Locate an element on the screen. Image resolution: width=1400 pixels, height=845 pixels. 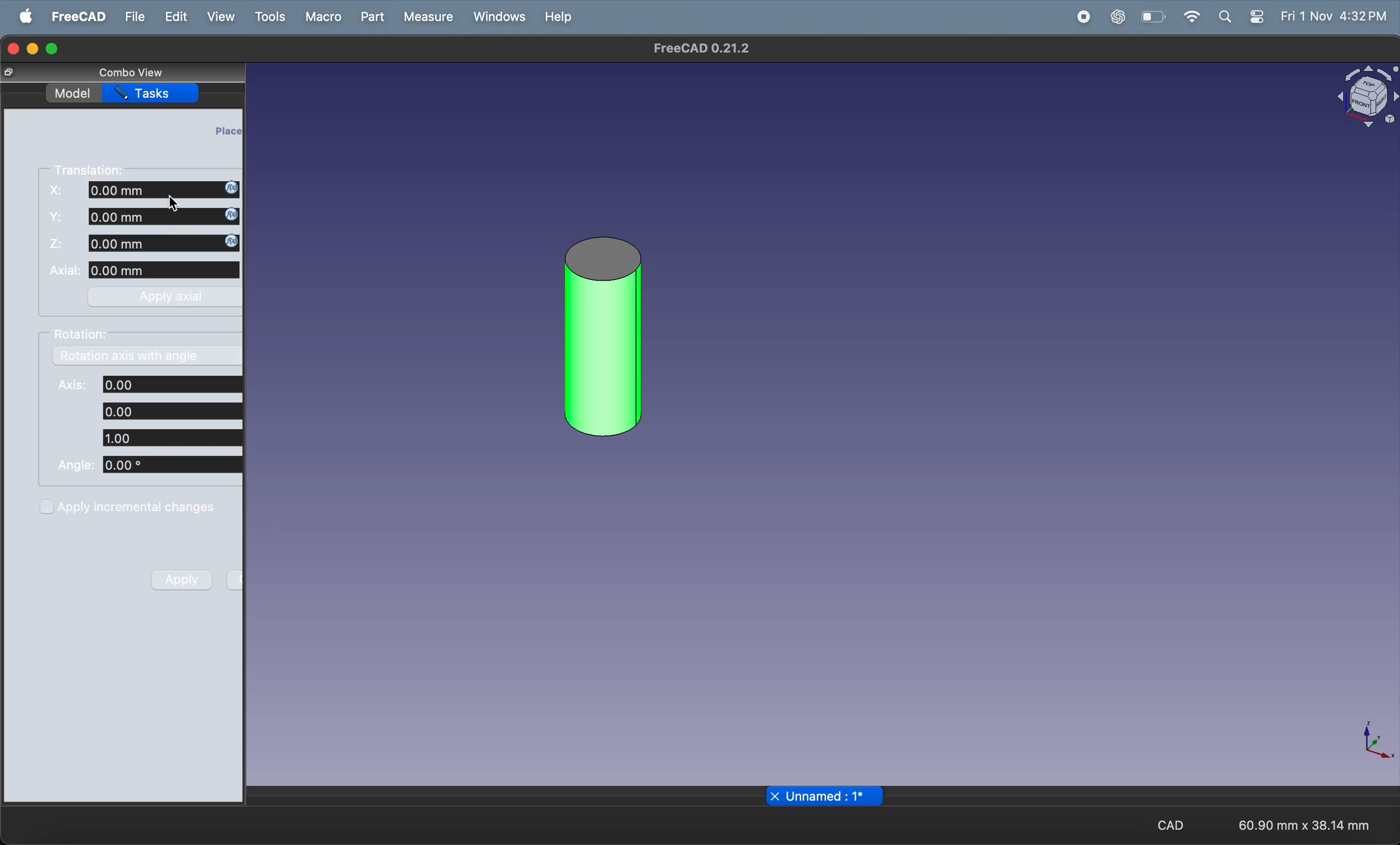
rotation is located at coordinates (86, 337).